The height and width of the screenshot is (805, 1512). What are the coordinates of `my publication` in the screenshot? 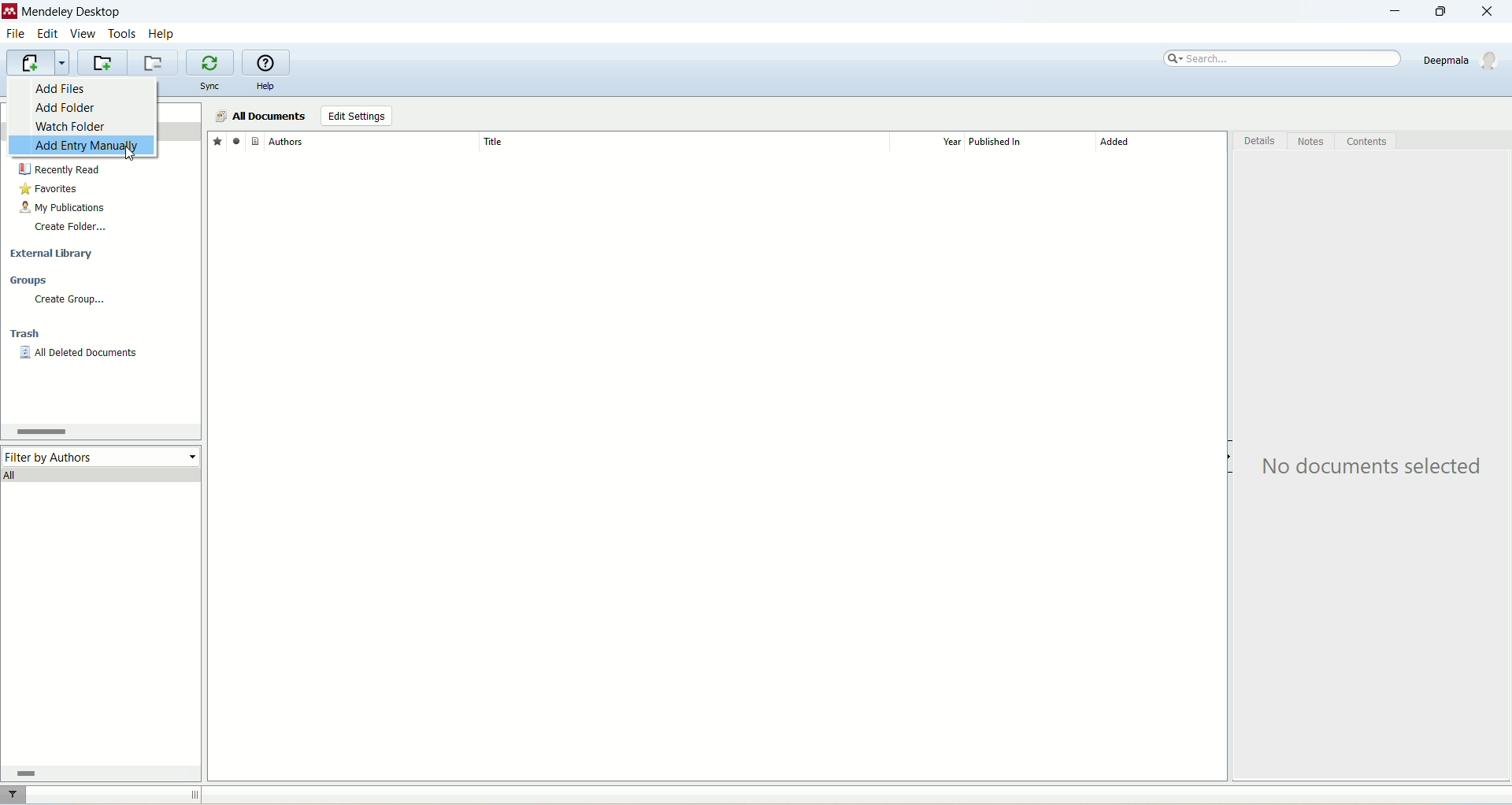 It's located at (64, 207).